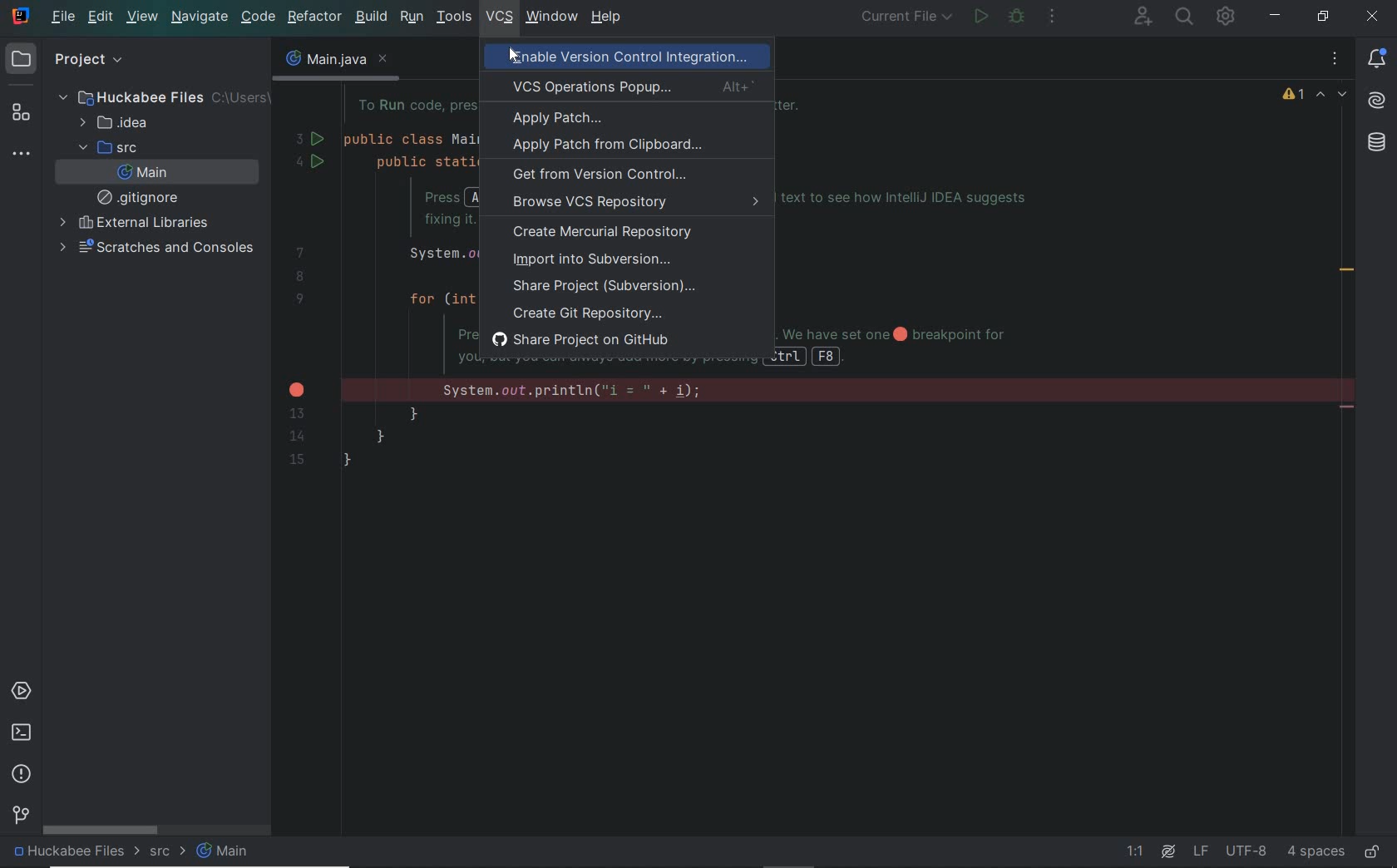 The width and height of the screenshot is (1397, 868). What do you see at coordinates (143, 173) in the screenshot?
I see `main` at bounding box center [143, 173].